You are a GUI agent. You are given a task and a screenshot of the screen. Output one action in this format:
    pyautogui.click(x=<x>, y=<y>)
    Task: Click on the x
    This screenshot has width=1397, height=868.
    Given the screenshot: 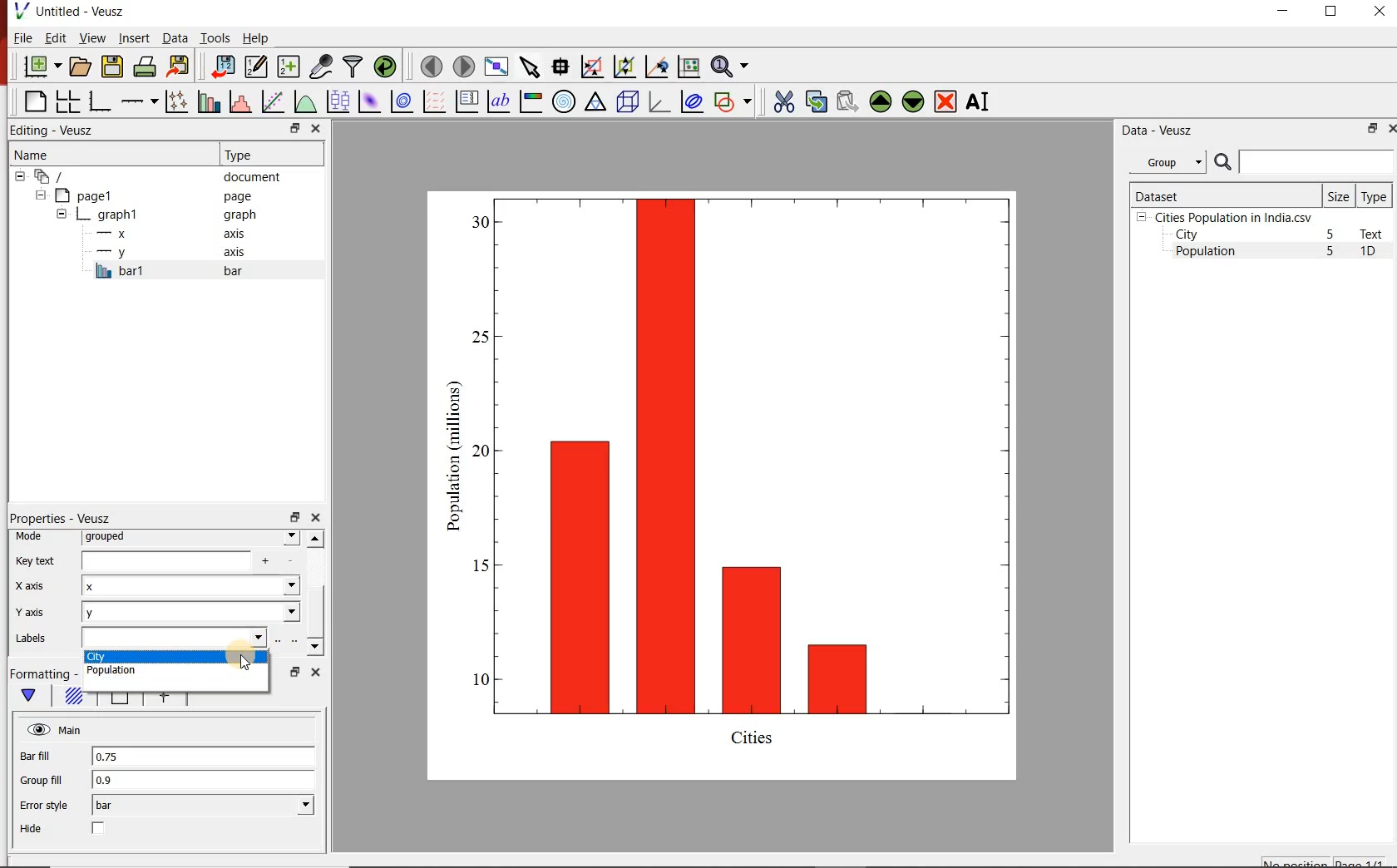 What is the action you would take?
    pyautogui.click(x=190, y=588)
    